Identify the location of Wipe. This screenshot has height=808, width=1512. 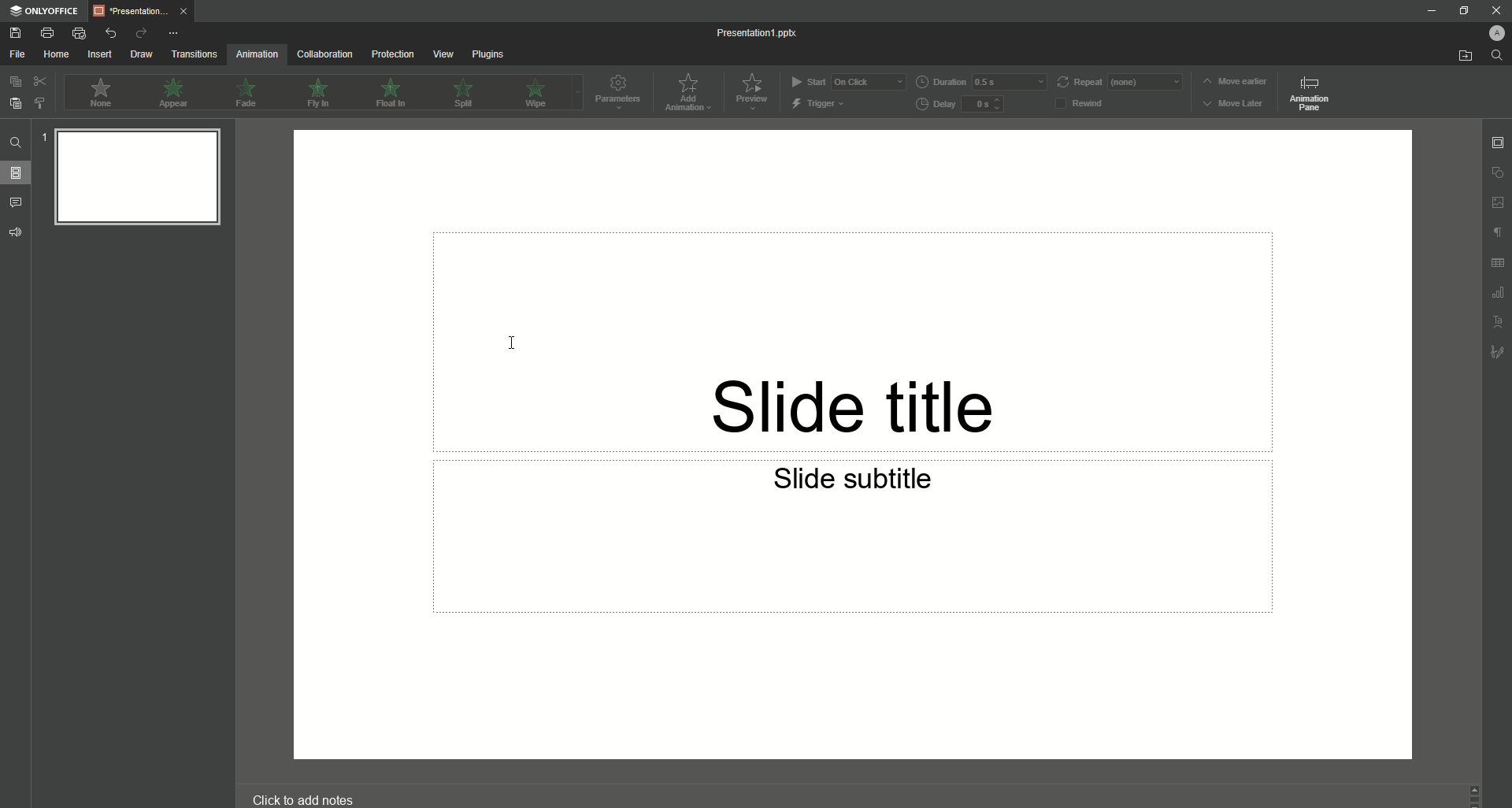
(534, 92).